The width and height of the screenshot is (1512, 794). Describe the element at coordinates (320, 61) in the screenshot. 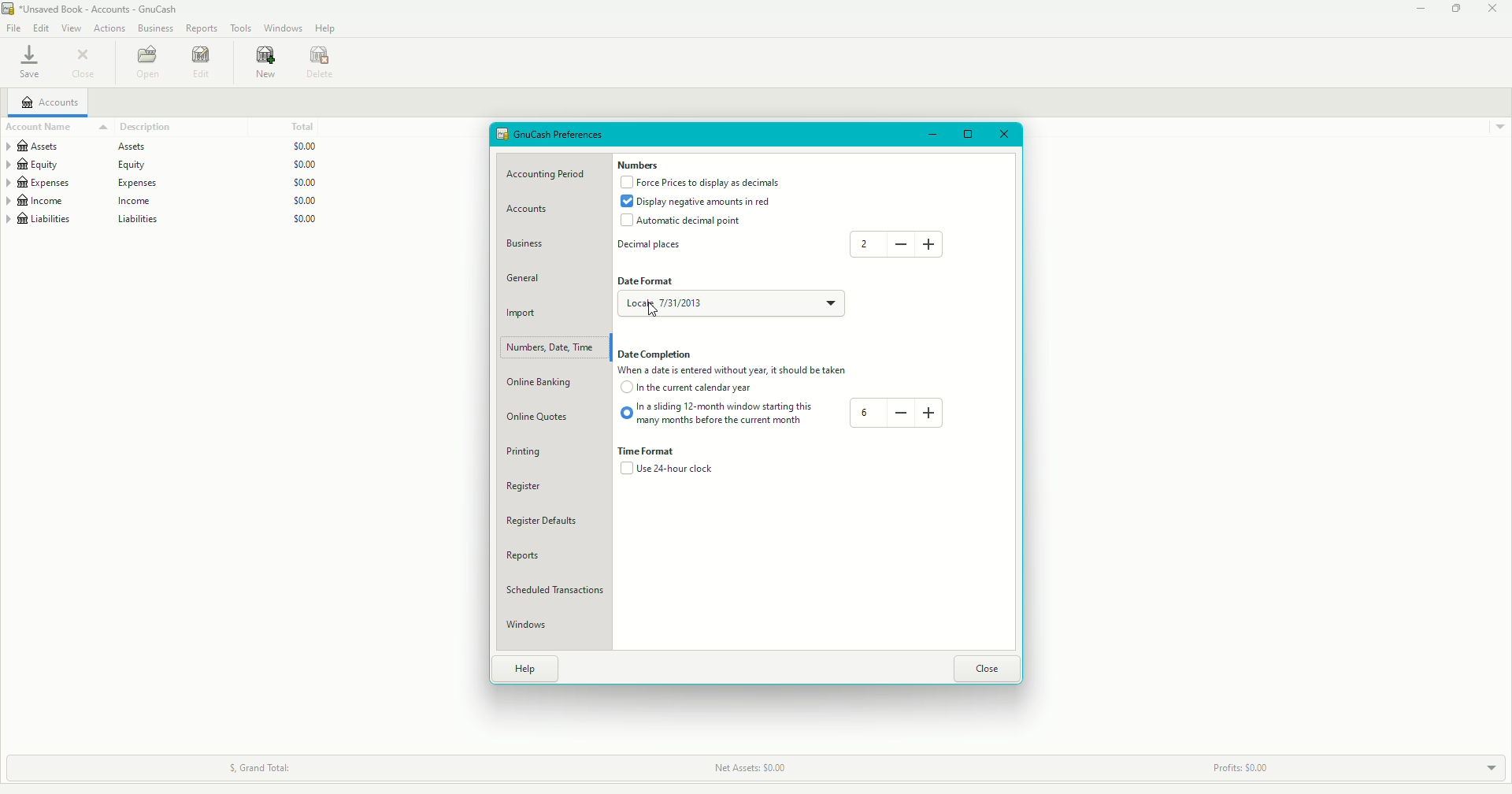

I see `Delete` at that location.